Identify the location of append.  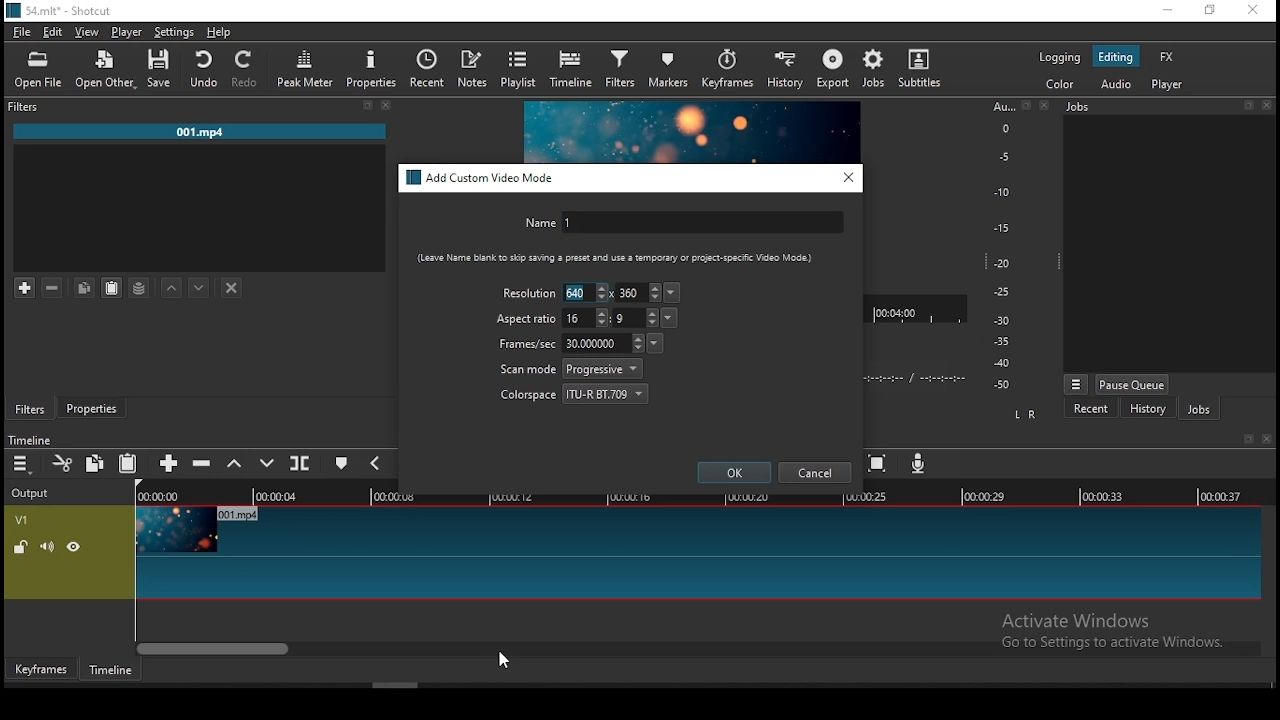
(170, 465).